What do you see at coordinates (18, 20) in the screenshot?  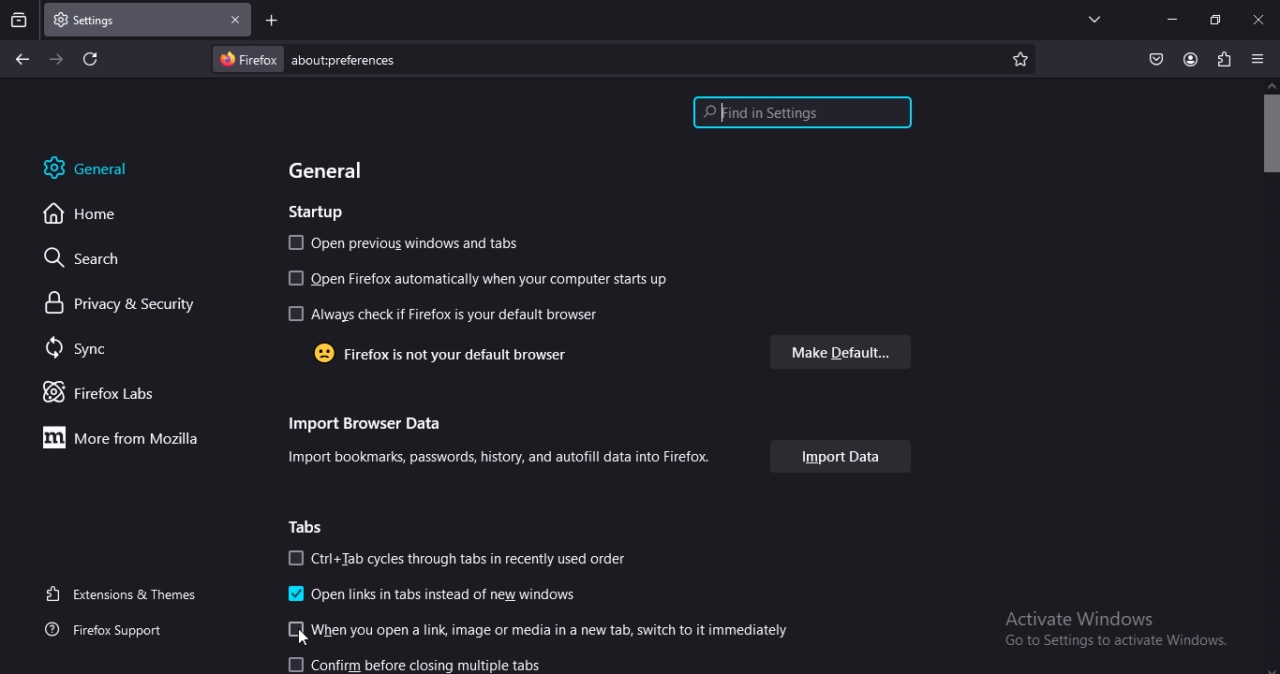 I see `search tabs` at bounding box center [18, 20].